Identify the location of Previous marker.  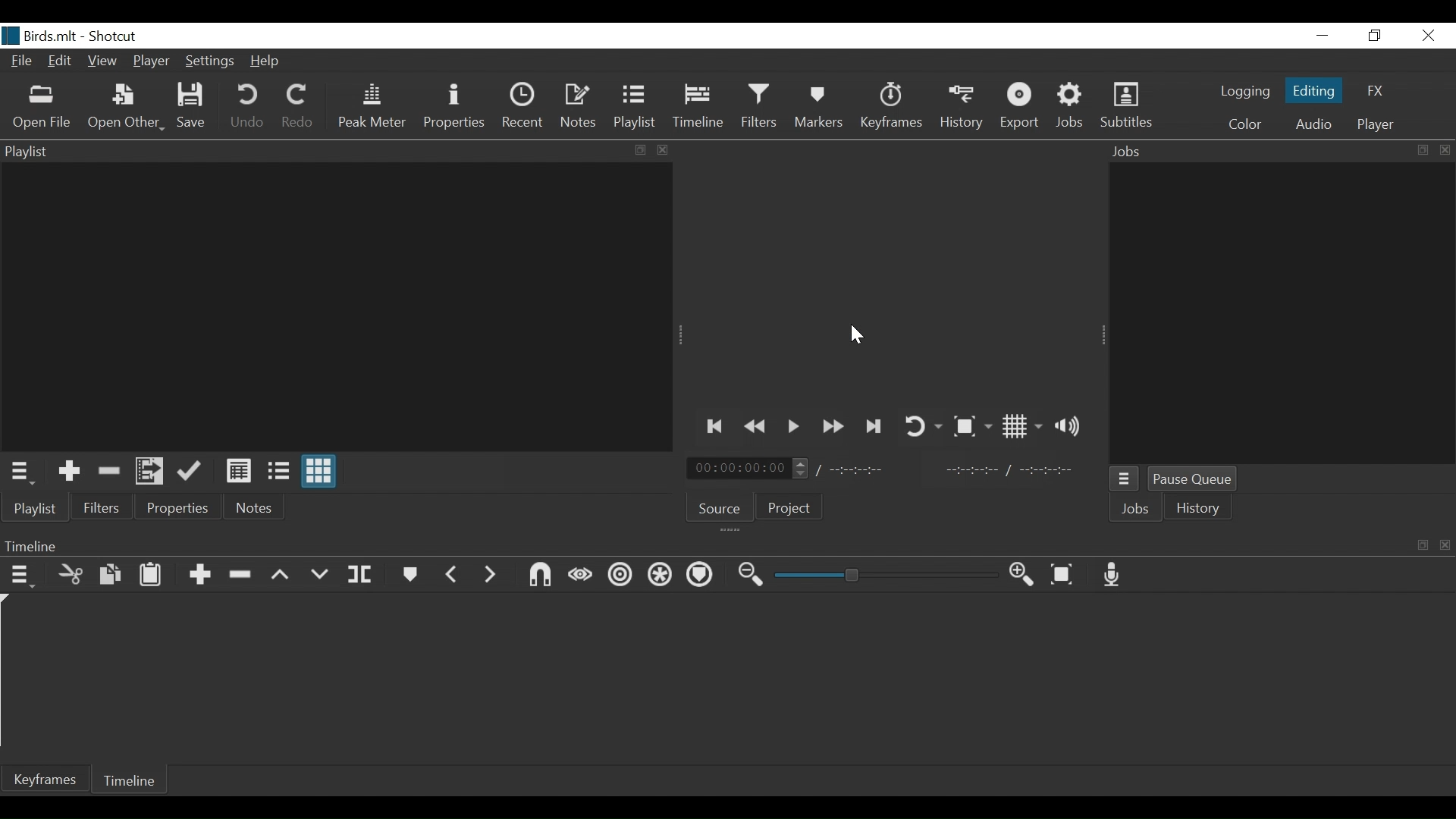
(452, 573).